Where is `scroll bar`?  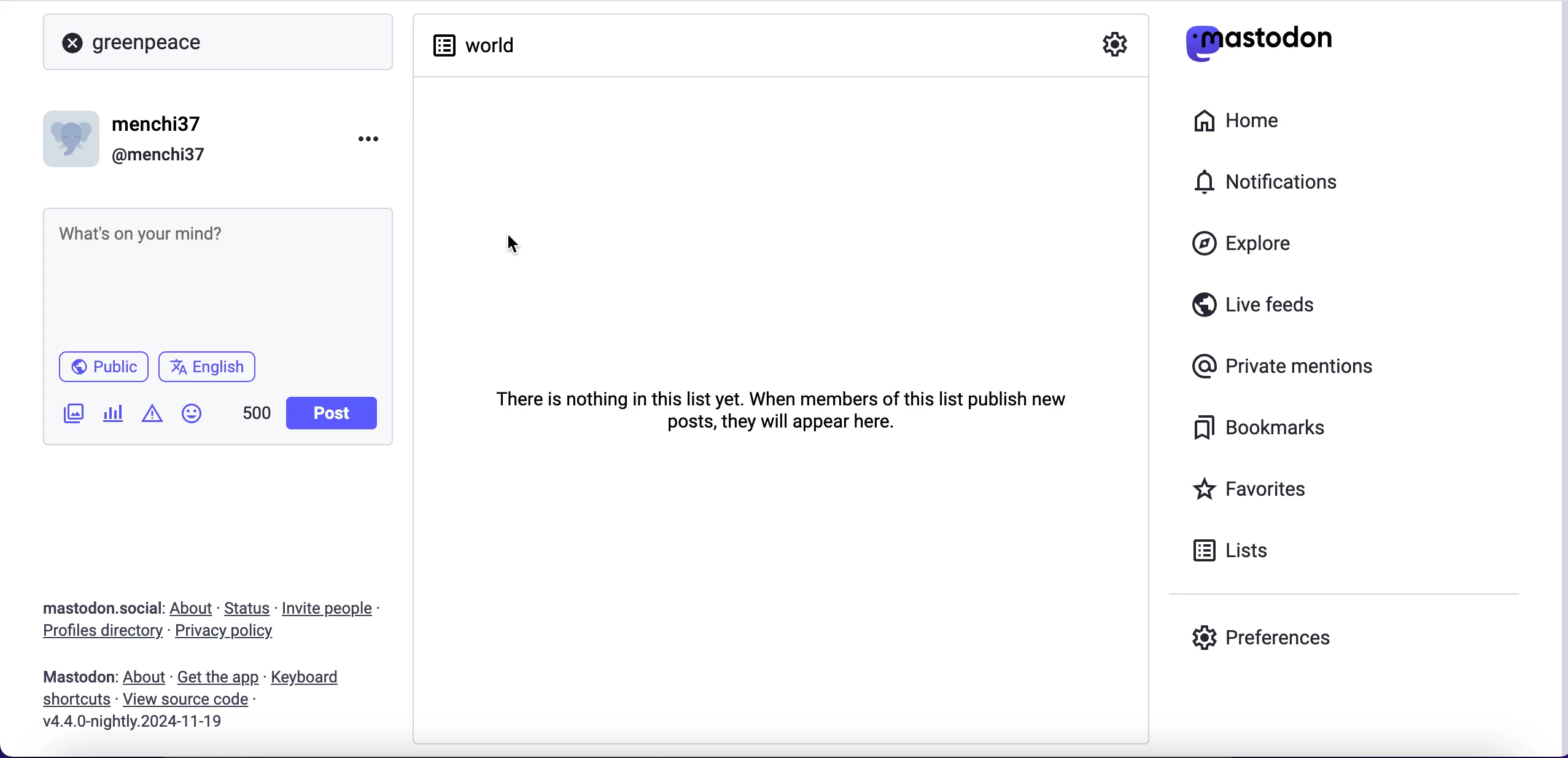 scroll bar is located at coordinates (1561, 380).